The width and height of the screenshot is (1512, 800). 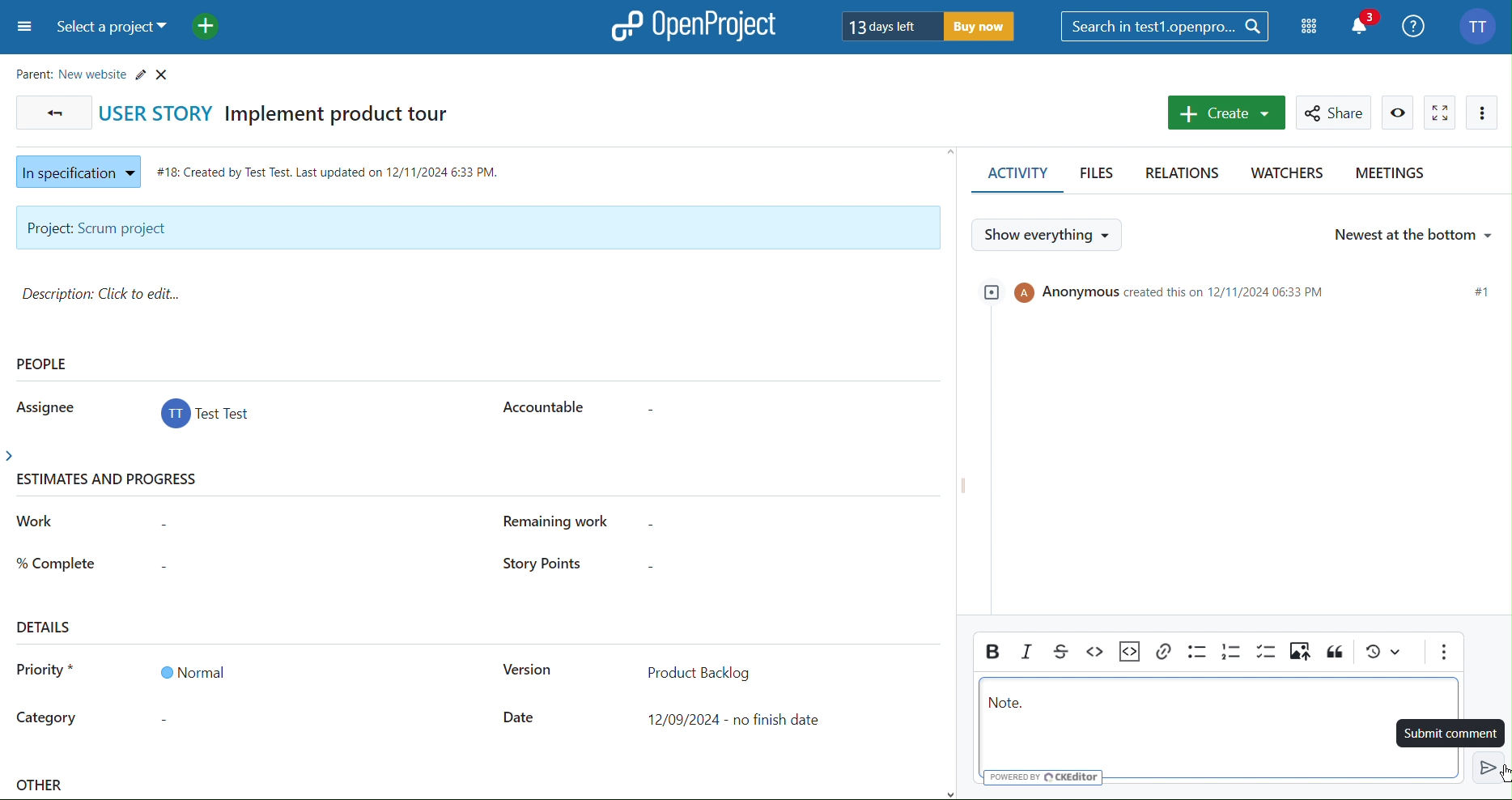 I want to click on Fullscreen, so click(x=1440, y=112).